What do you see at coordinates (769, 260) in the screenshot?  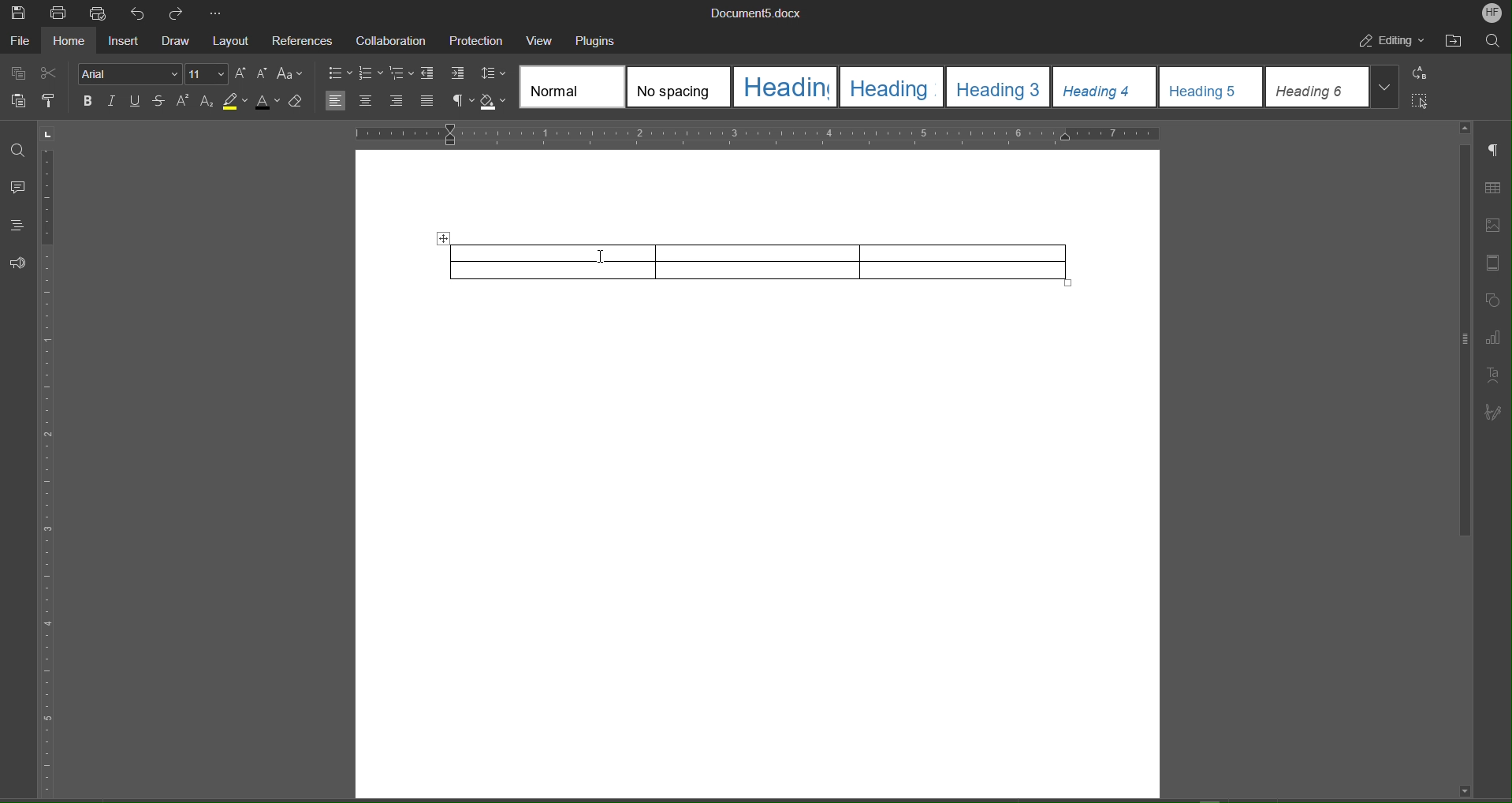 I see `Table` at bounding box center [769, 260].